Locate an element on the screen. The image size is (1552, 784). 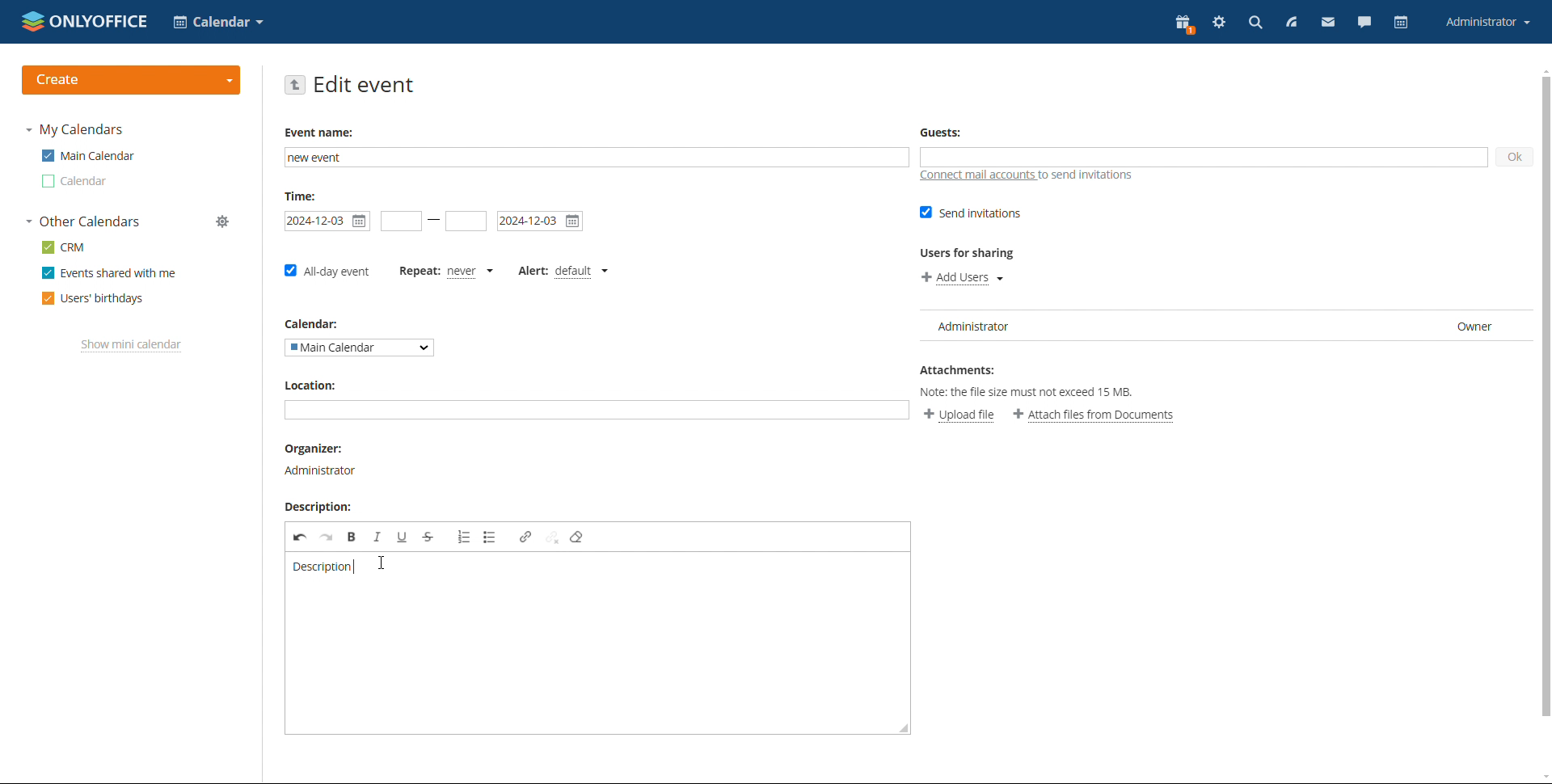
Description: is located at coordinates (316, 506).